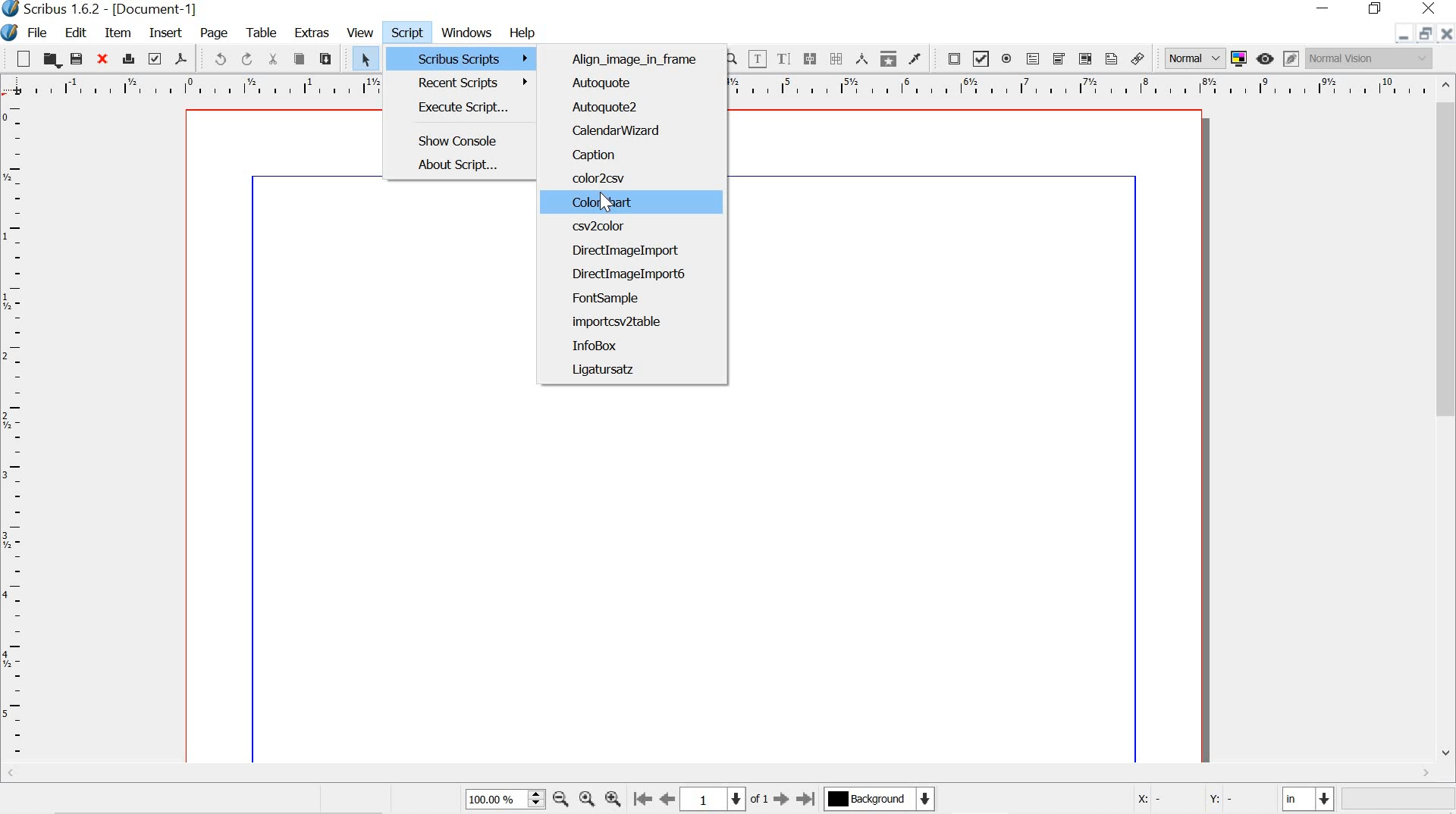 This screenshot has height=814, width=1456. I want to click on zoom in, so click(611, 798).